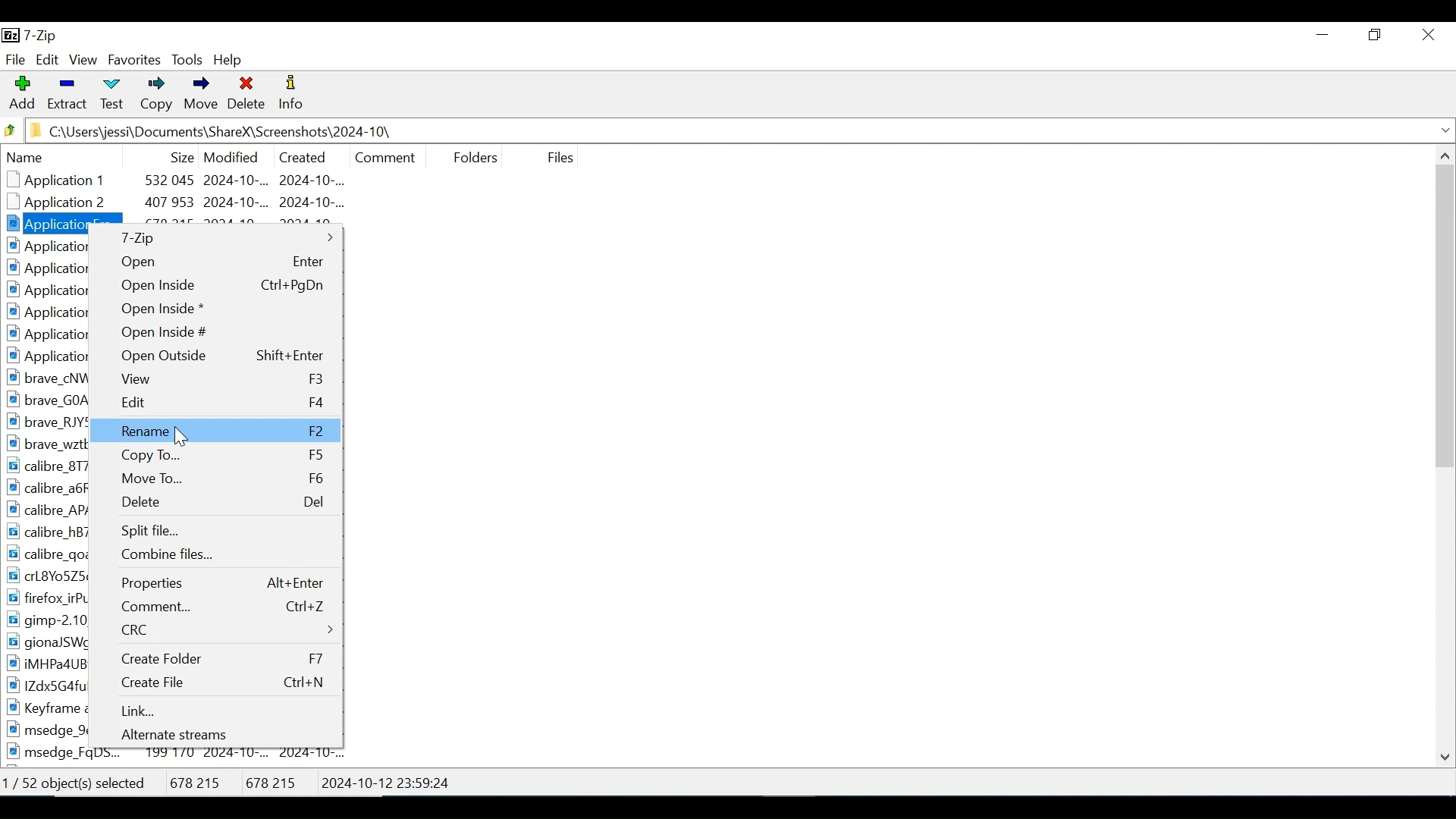 Image resolution: width=1456 pixels, height=819 pixels. Describe the element at coordinates (231, 155) in the screenshot. I see `Date Modified` at that location.